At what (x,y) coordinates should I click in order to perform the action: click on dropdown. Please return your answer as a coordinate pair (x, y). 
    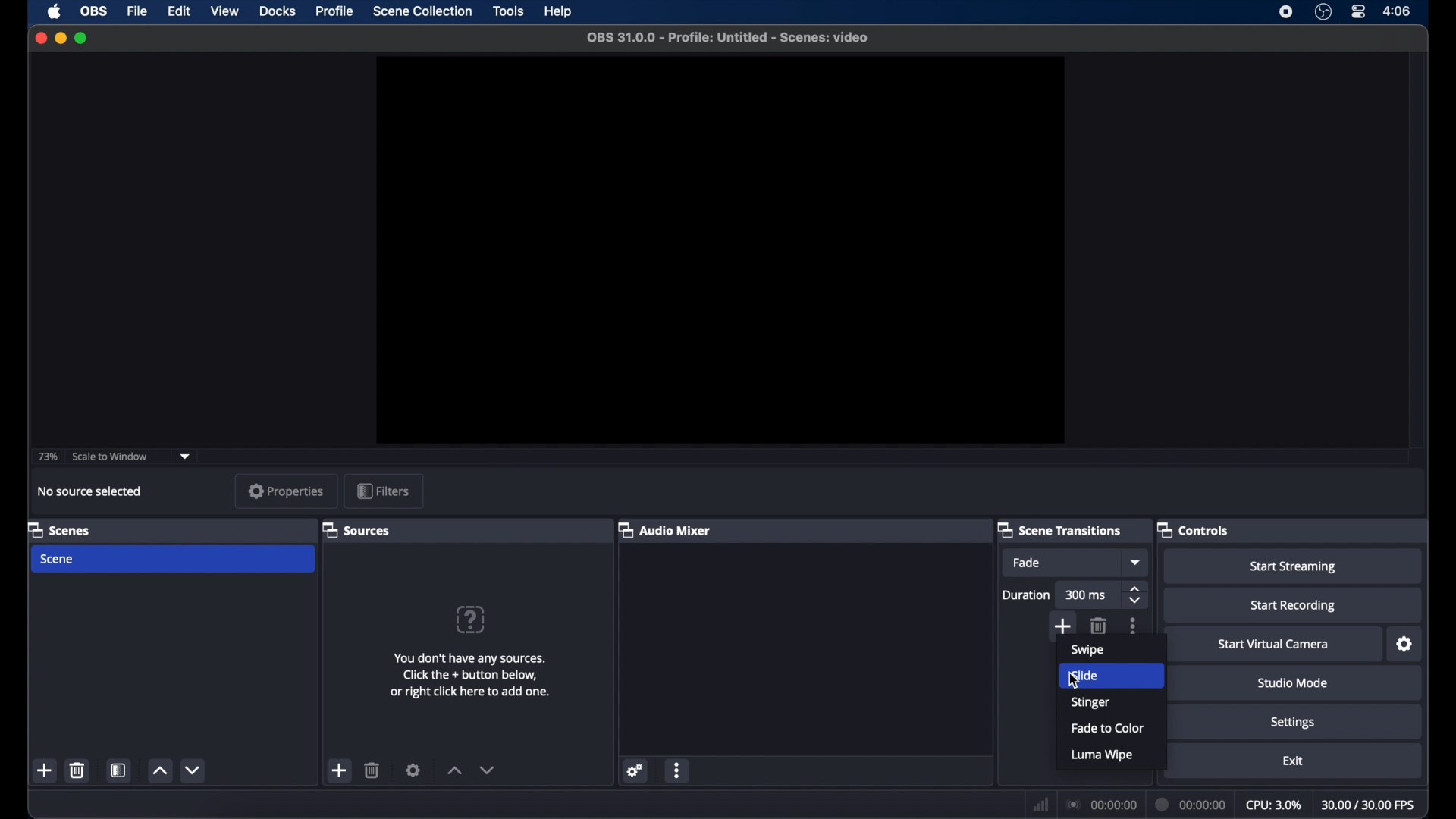
    Looking at the image, I should click on (1137, 563).